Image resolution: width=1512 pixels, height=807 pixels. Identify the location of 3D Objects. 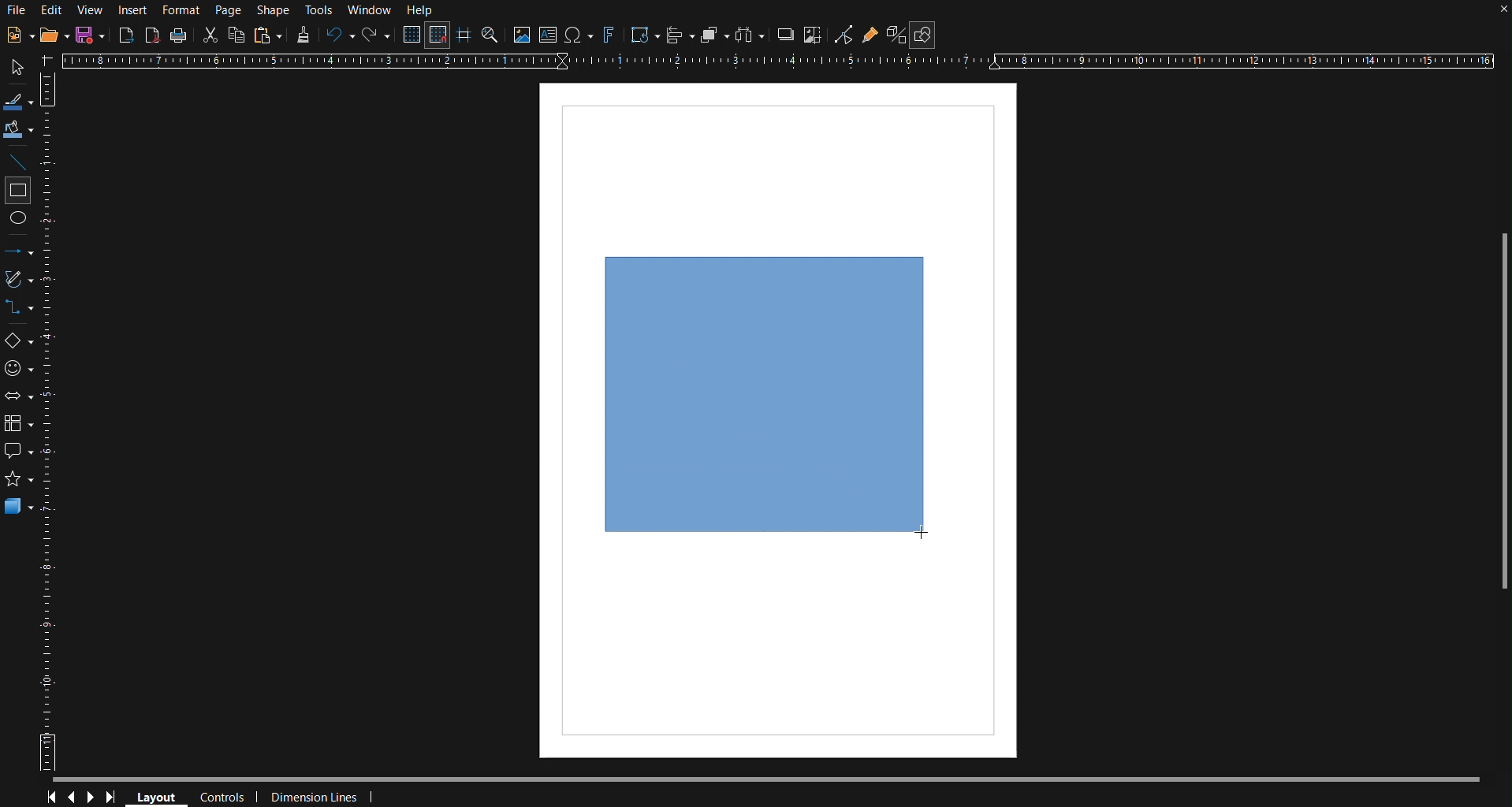
(19, 506).